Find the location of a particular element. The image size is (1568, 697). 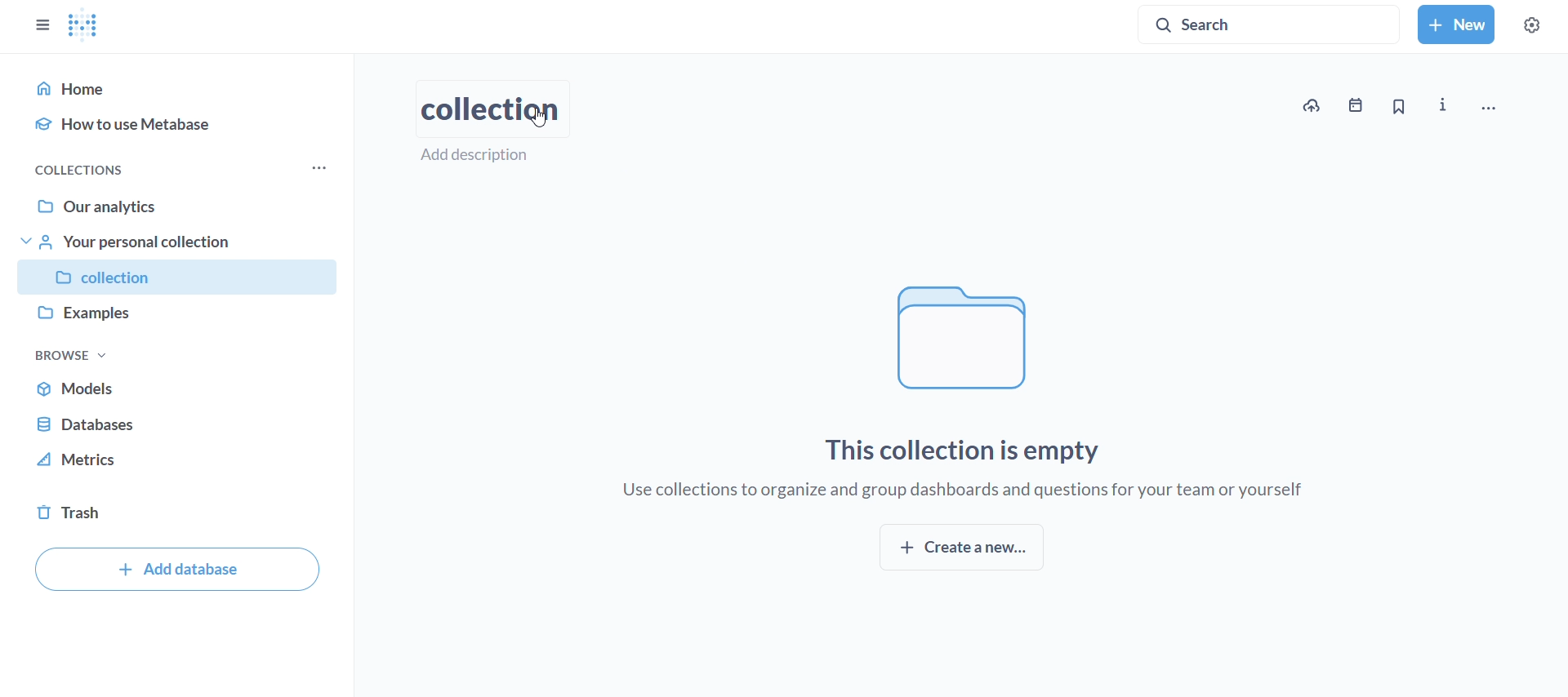

more is located at coordinates (323, 168).